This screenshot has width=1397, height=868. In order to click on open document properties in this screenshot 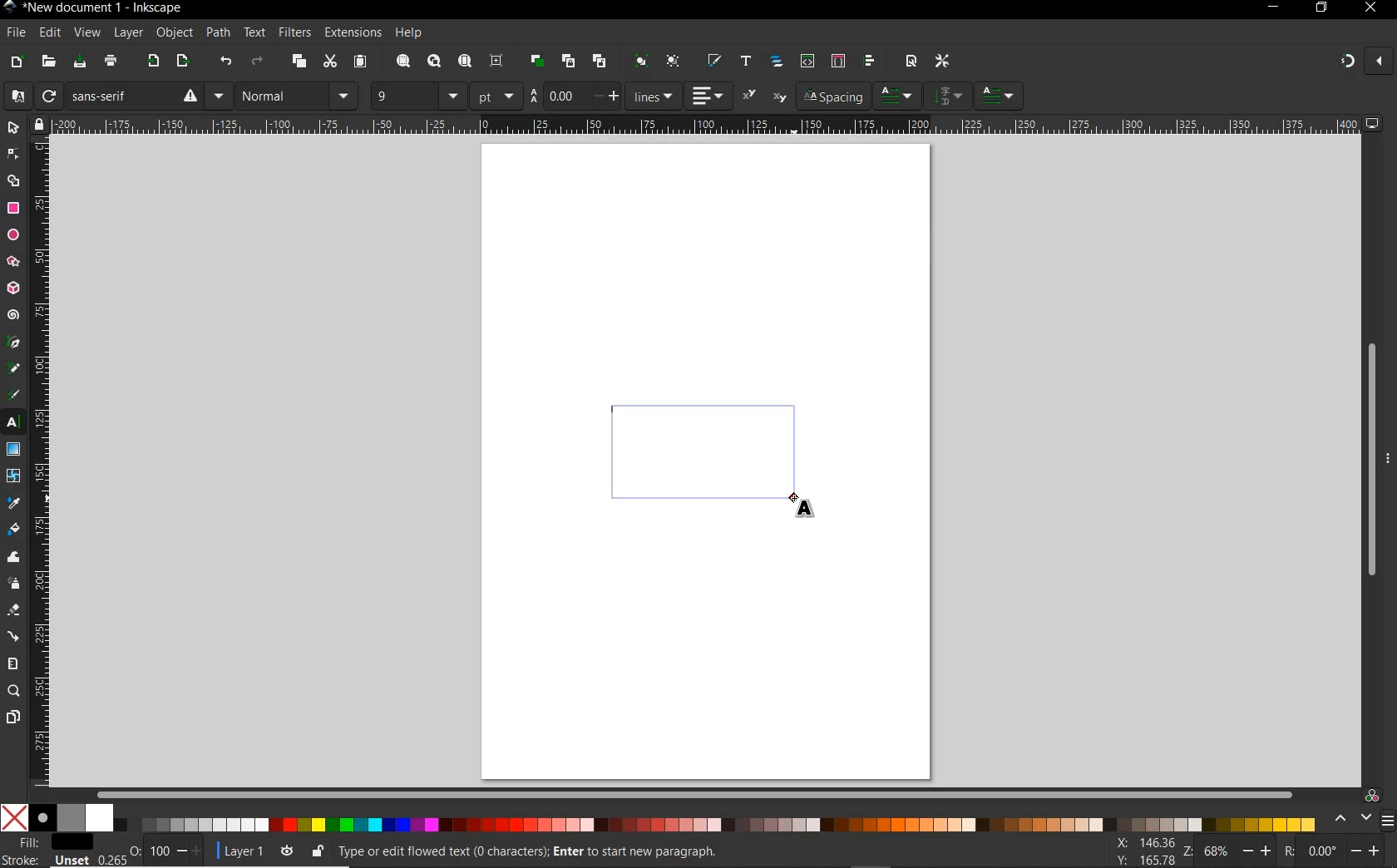, I will do `click(911, 60)`.